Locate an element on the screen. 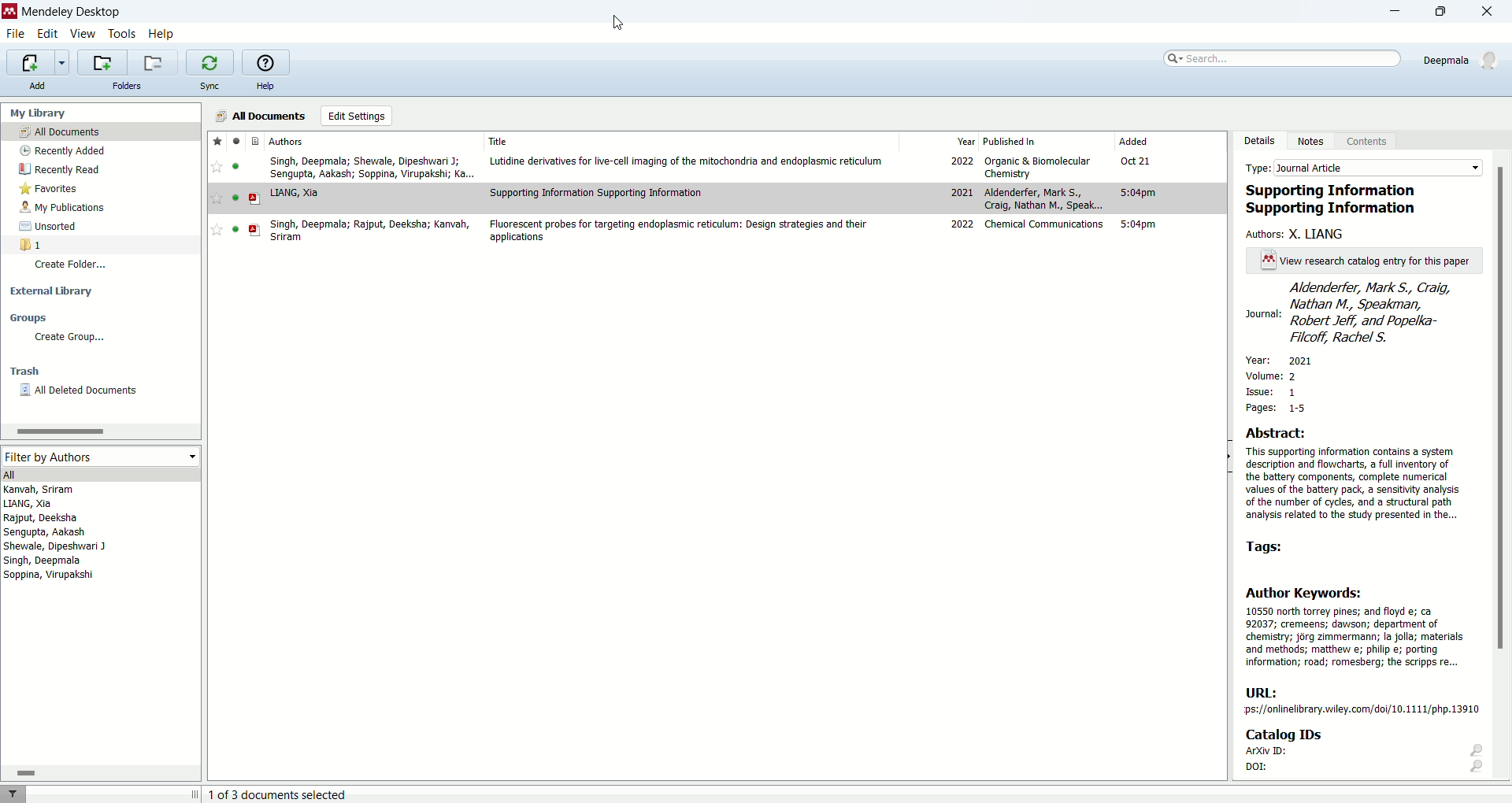  favorite is located at coordinates (216, 166).